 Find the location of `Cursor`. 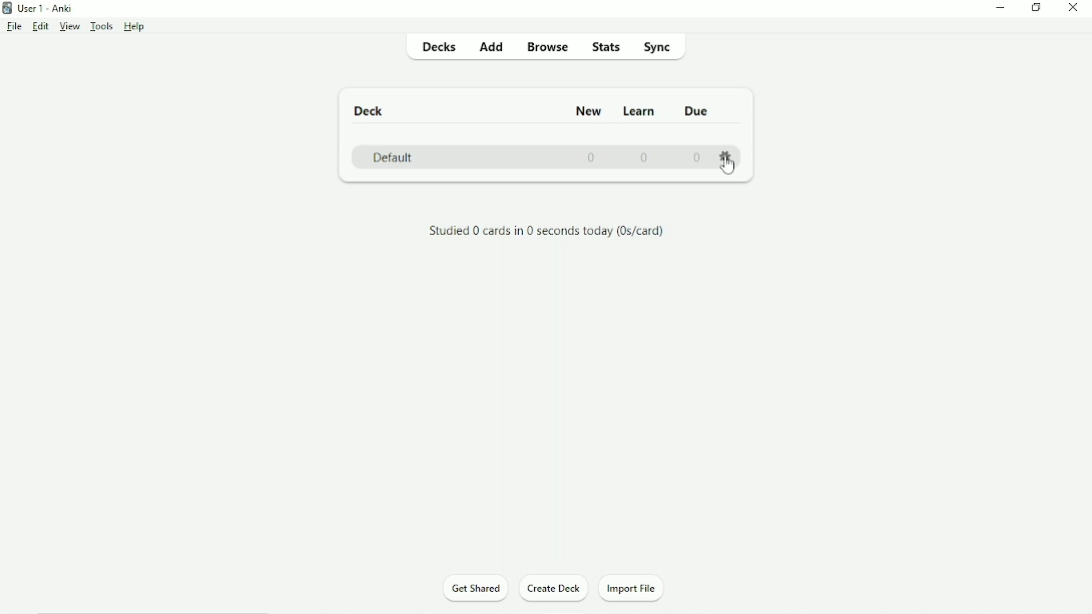

Cursor is located at coordinates (727, 168).